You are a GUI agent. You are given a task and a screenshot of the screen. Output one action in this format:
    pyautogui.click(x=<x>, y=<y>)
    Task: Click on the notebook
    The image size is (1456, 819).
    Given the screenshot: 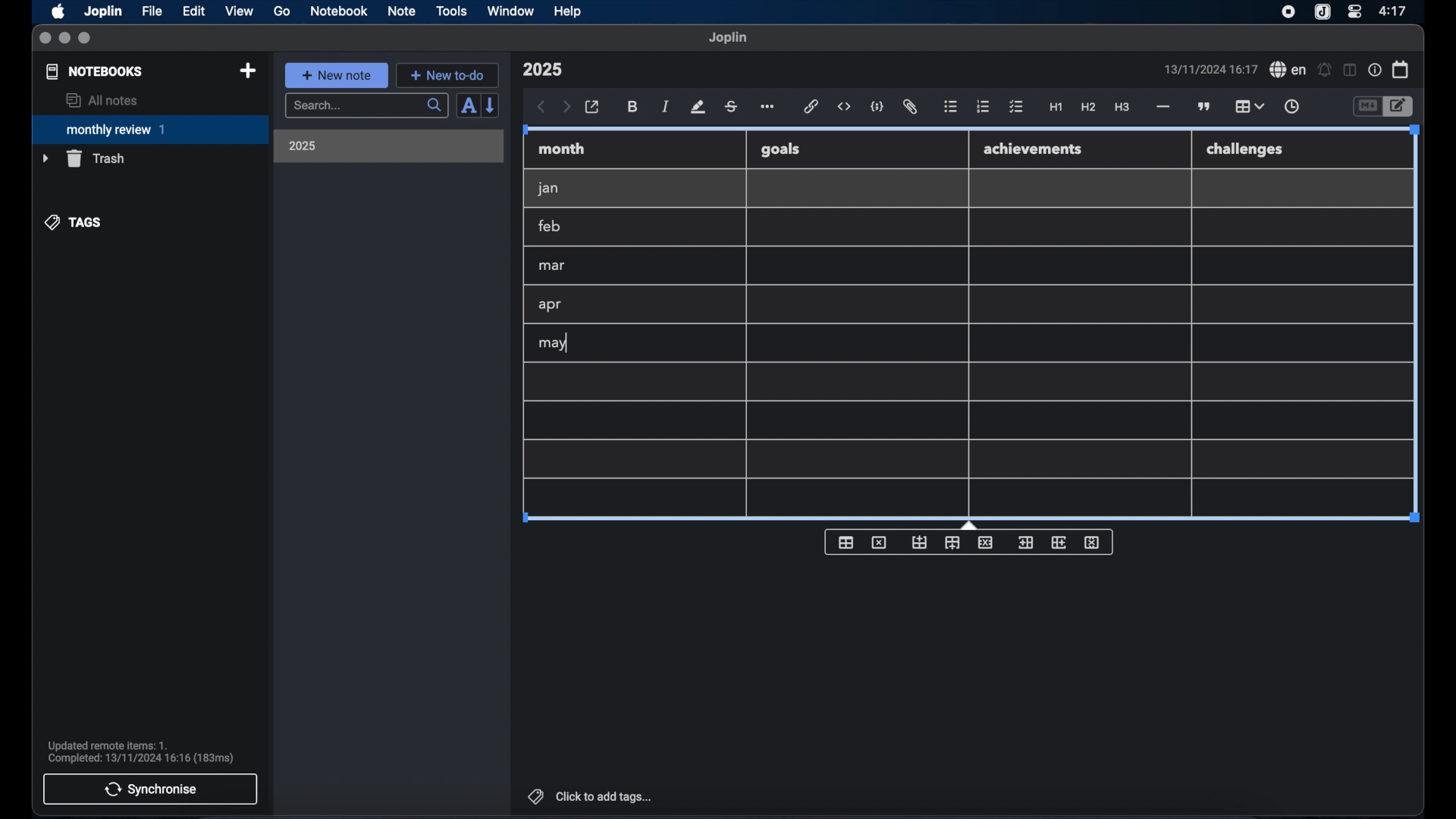 What is the action you would take?
    pyautogui.click(x=339, y=11)
    